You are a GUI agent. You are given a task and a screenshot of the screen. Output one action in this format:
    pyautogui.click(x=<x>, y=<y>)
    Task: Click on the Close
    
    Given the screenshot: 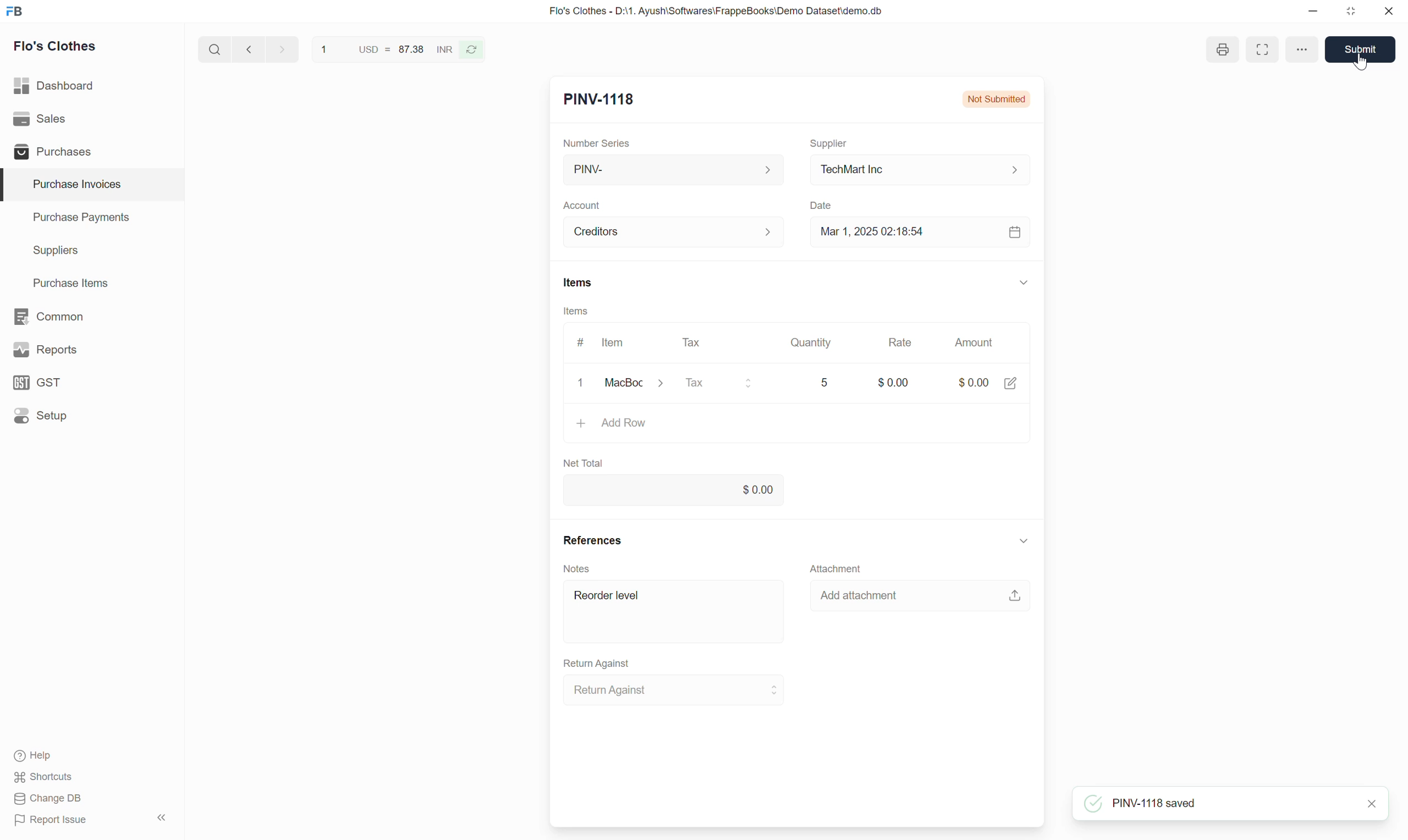 What is the action you would take?
    pyautogui.click(x=1389, y=11)
    